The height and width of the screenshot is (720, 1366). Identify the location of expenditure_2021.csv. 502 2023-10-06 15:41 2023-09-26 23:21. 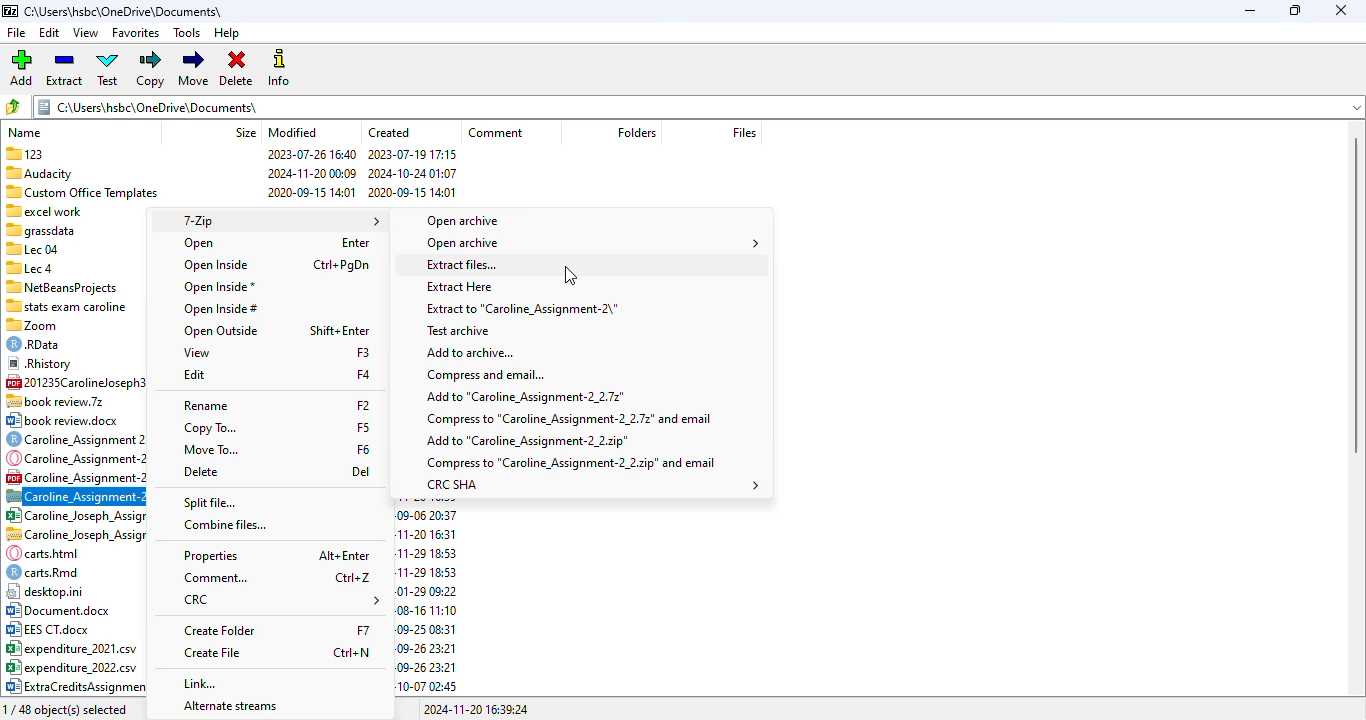
(75, 649).